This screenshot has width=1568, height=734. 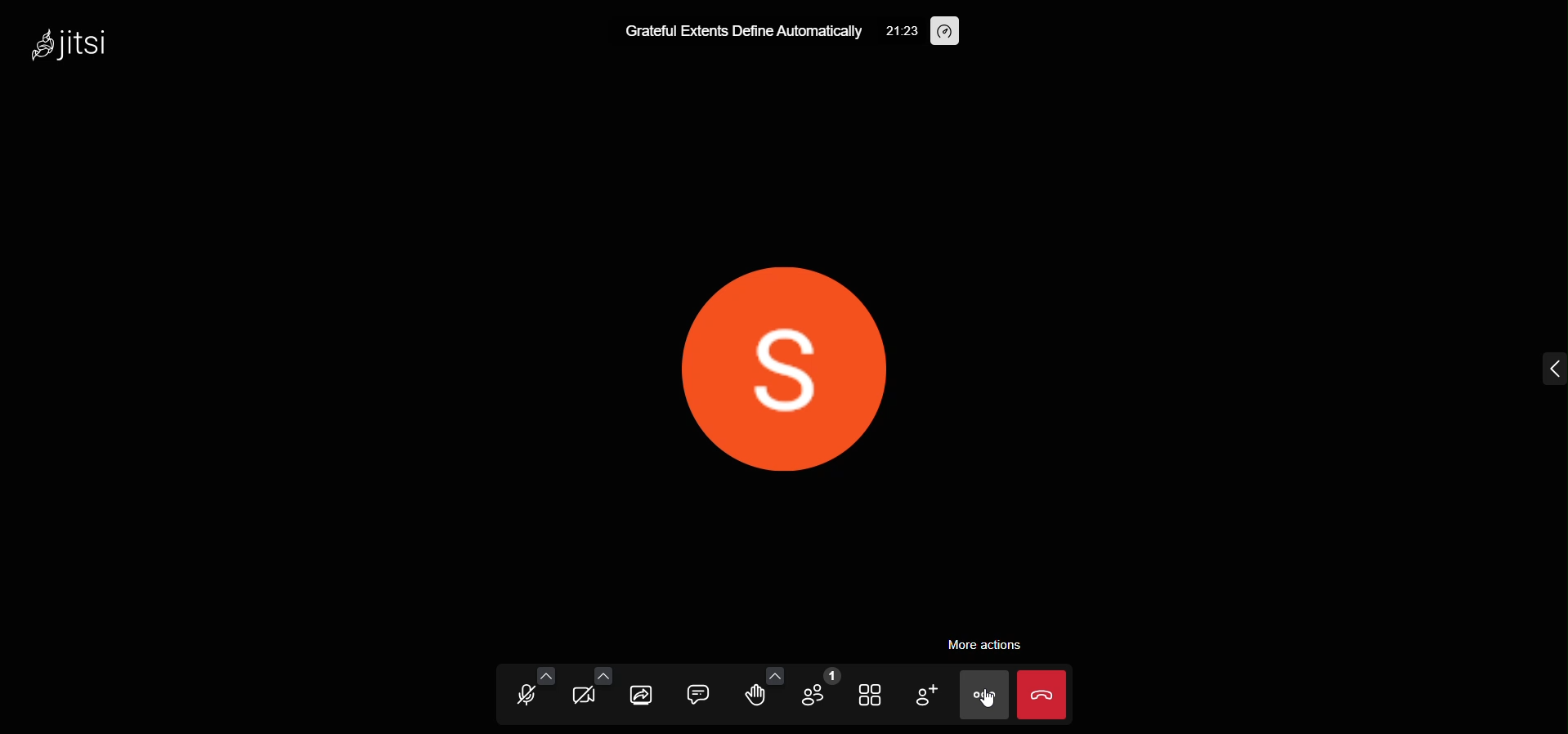 What do you see at coordinates (820, 690) in the screenshot?
I see `participants` at bounding box center [820, 690].